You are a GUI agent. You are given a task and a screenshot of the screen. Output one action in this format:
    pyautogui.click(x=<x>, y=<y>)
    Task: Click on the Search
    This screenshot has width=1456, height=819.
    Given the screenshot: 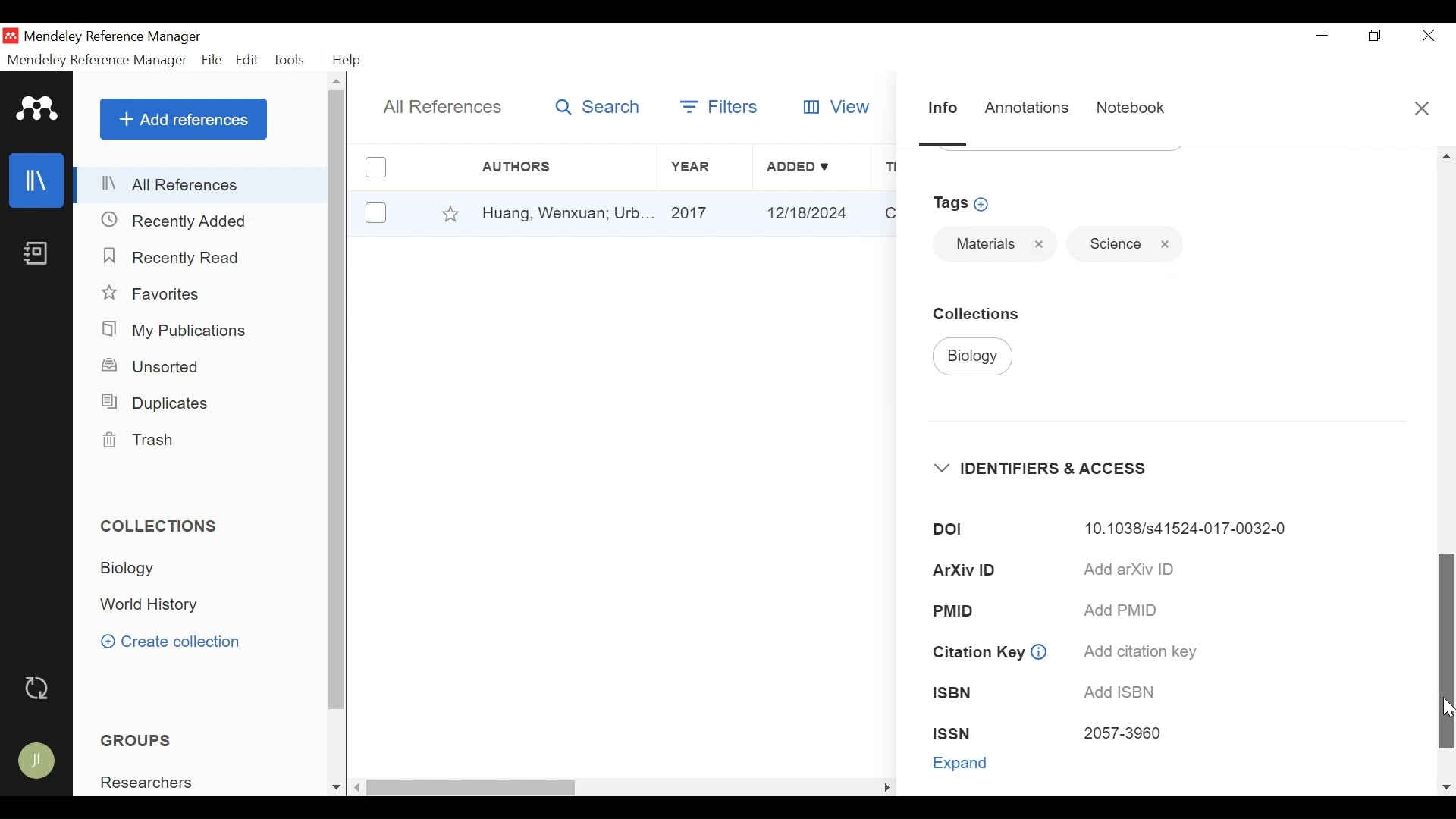 What is the action you would take?
    pyautogui.click(x=598, y=108)
    